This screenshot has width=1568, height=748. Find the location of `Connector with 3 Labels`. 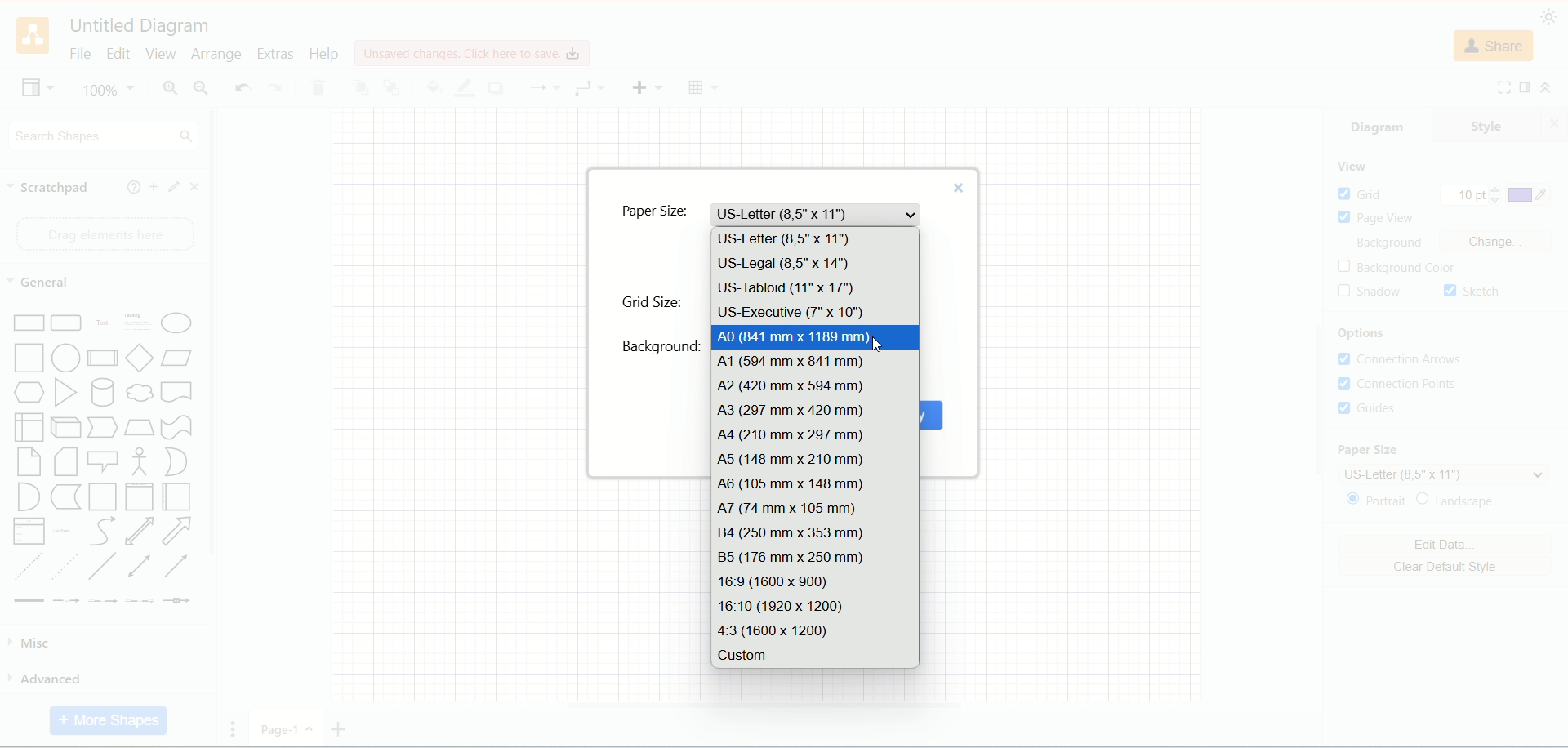

Connector with 3 Labels is located at coordinates (141, 601).